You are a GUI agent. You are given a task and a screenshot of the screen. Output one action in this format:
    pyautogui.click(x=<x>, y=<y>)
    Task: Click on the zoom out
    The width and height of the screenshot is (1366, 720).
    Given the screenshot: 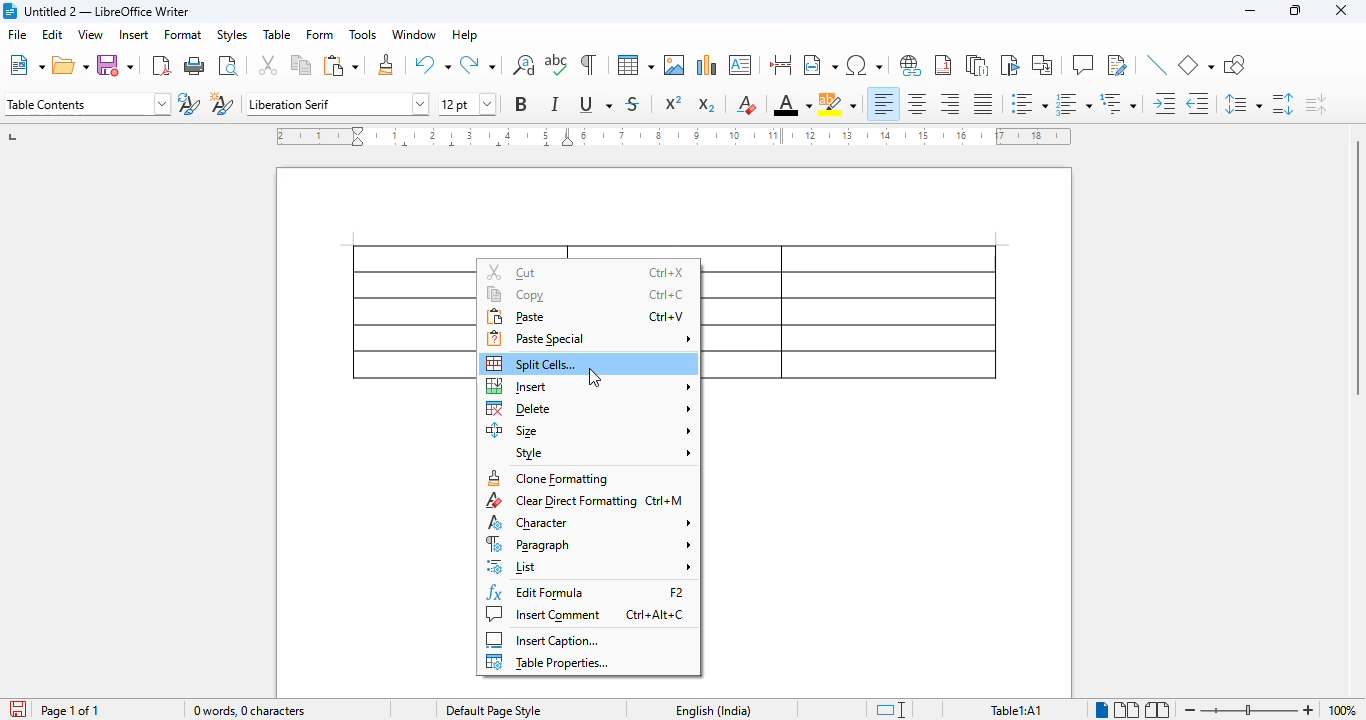 What is the action you would take?
    pyautogui.click(x=1190, y=710)
    